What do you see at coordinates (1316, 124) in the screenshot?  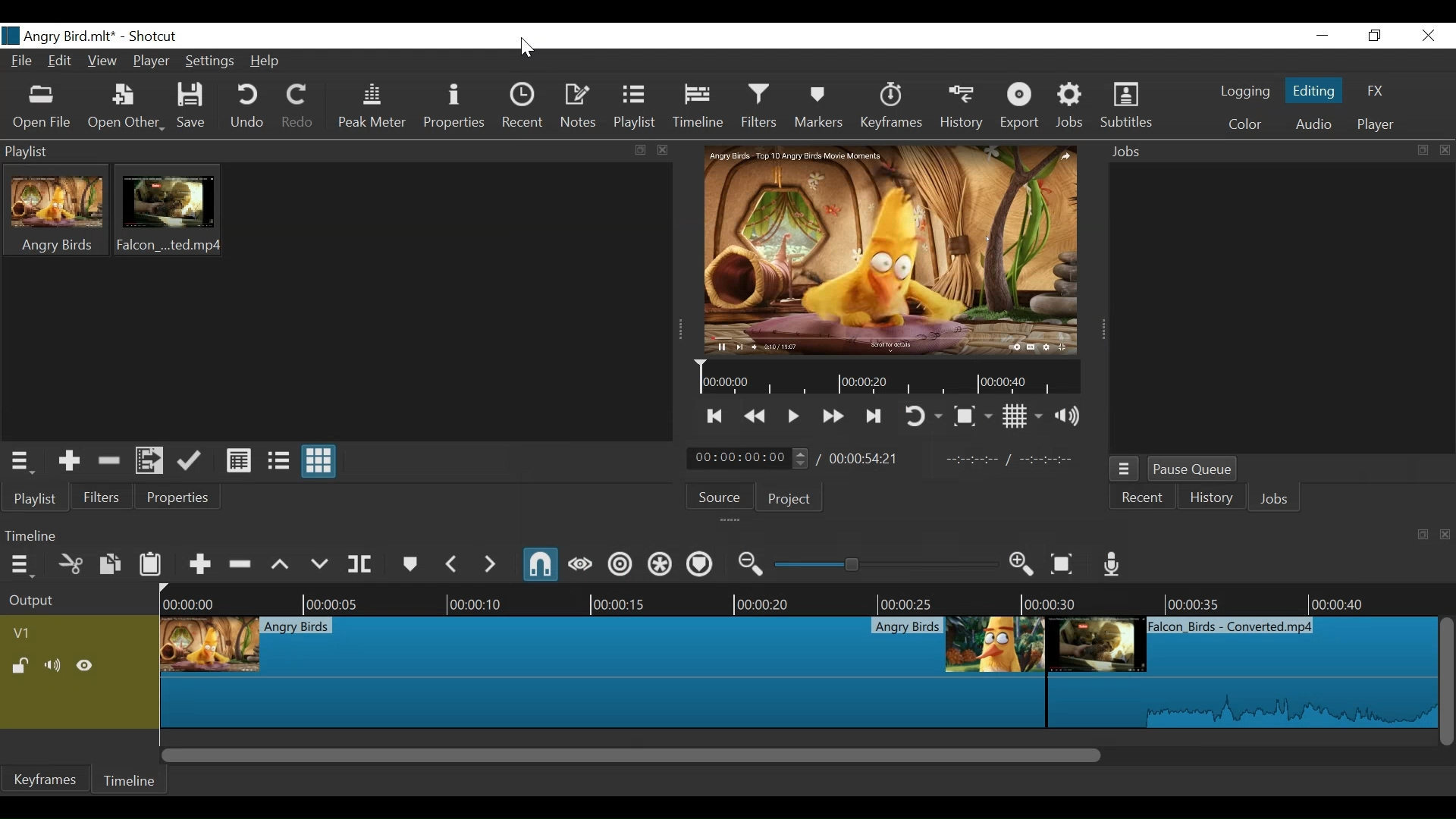 I see `Audio` at bounding box center [1316, 124].